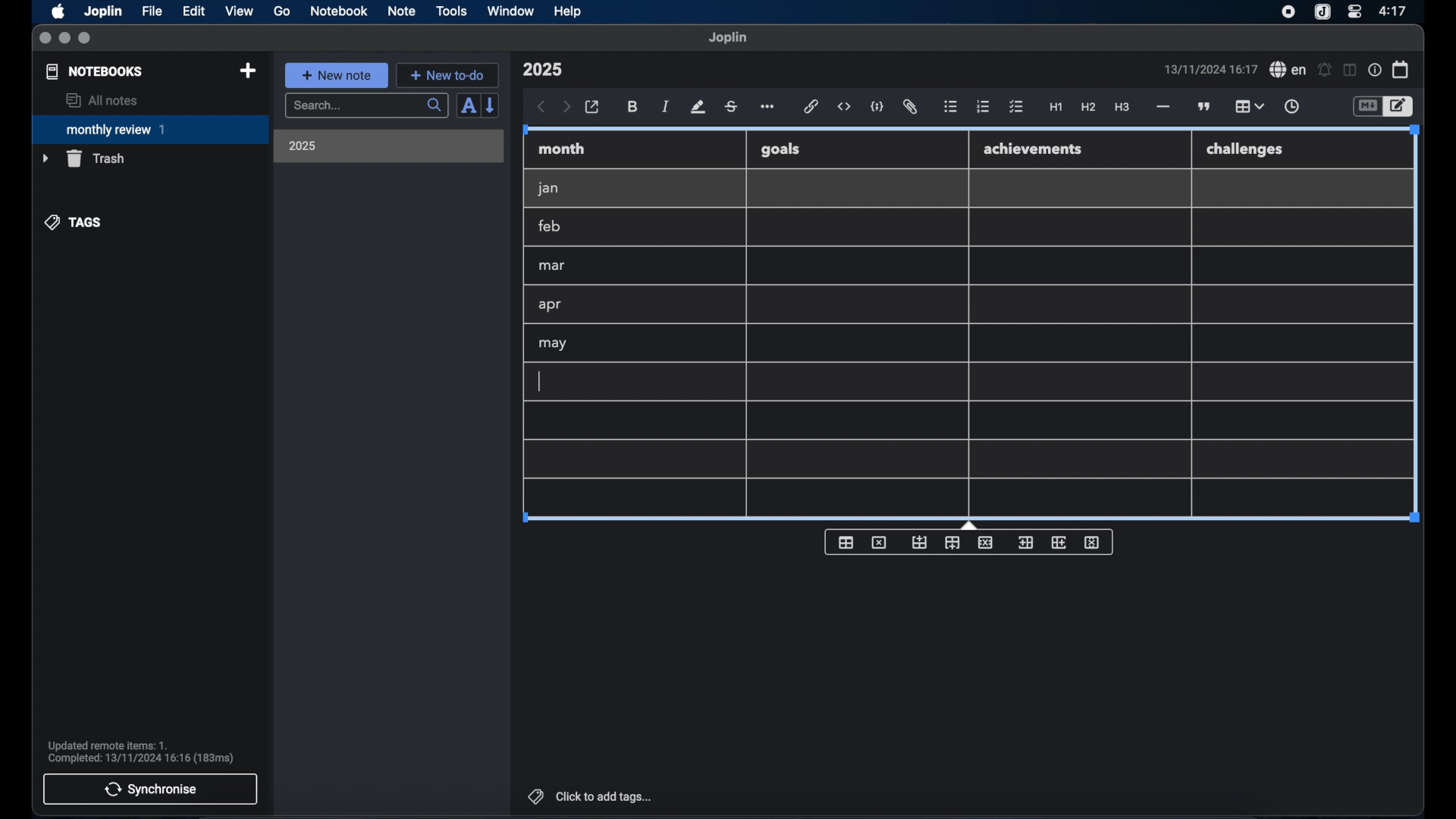 The width and height of the screenshot is (1456, 819). I want to click on achievements, so click(1034, 149).